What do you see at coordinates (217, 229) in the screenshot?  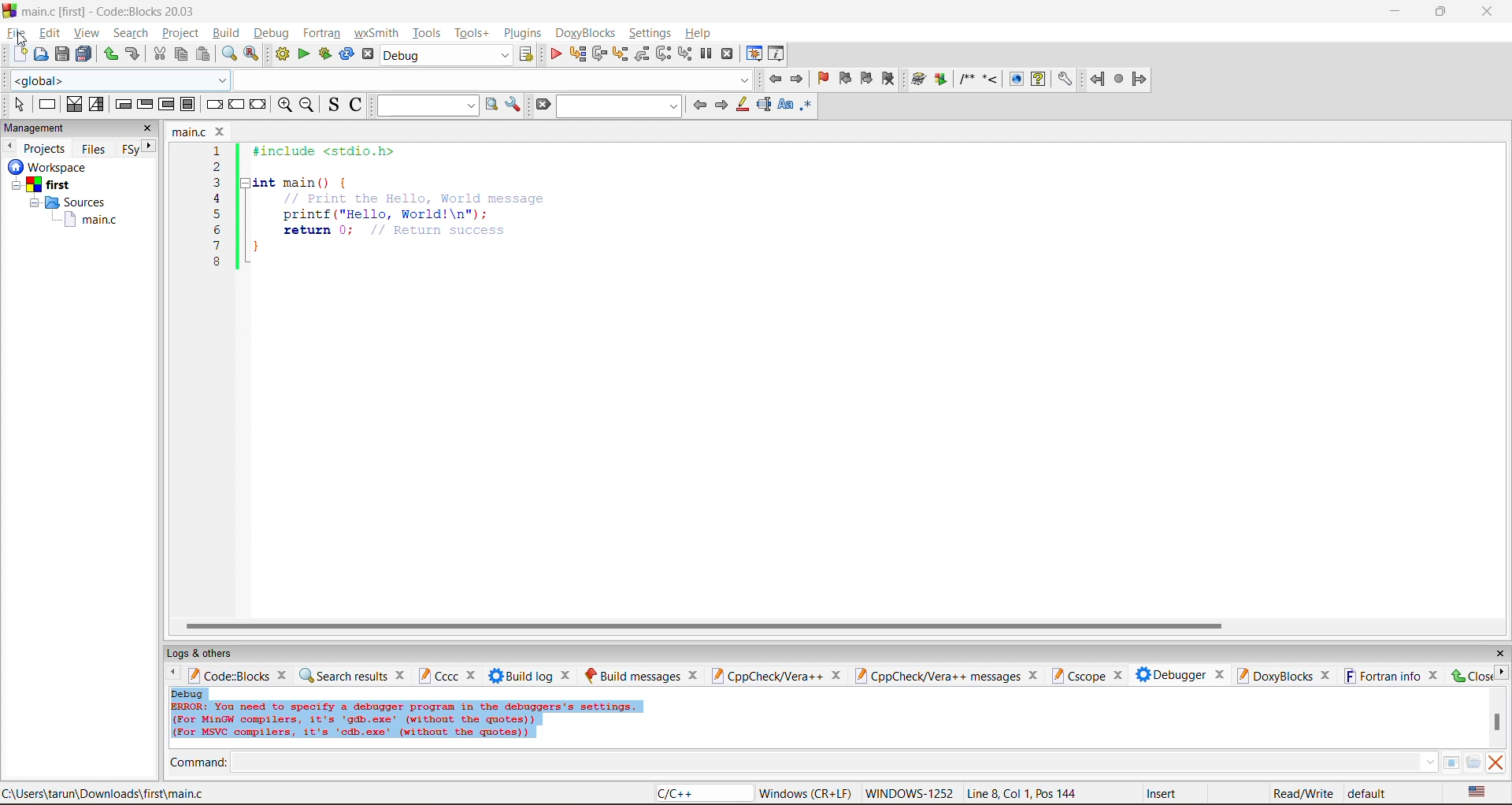 I see `6` at bounding box center [217, 229].